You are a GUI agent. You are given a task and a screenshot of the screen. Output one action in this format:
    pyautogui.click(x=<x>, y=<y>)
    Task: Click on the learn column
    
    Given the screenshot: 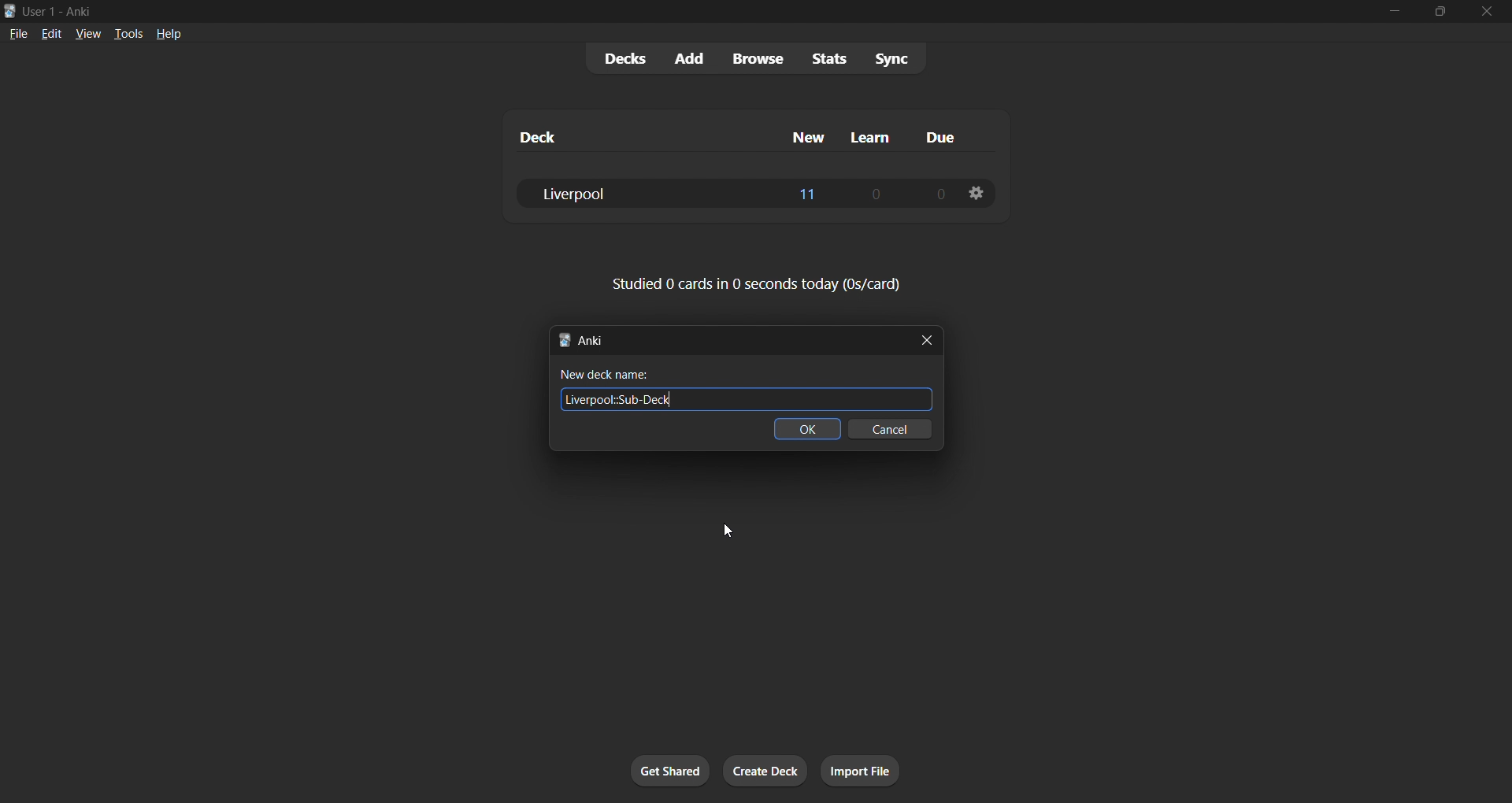 What is the action you would take?
    pyautogui.click(x=873, y=136)
    